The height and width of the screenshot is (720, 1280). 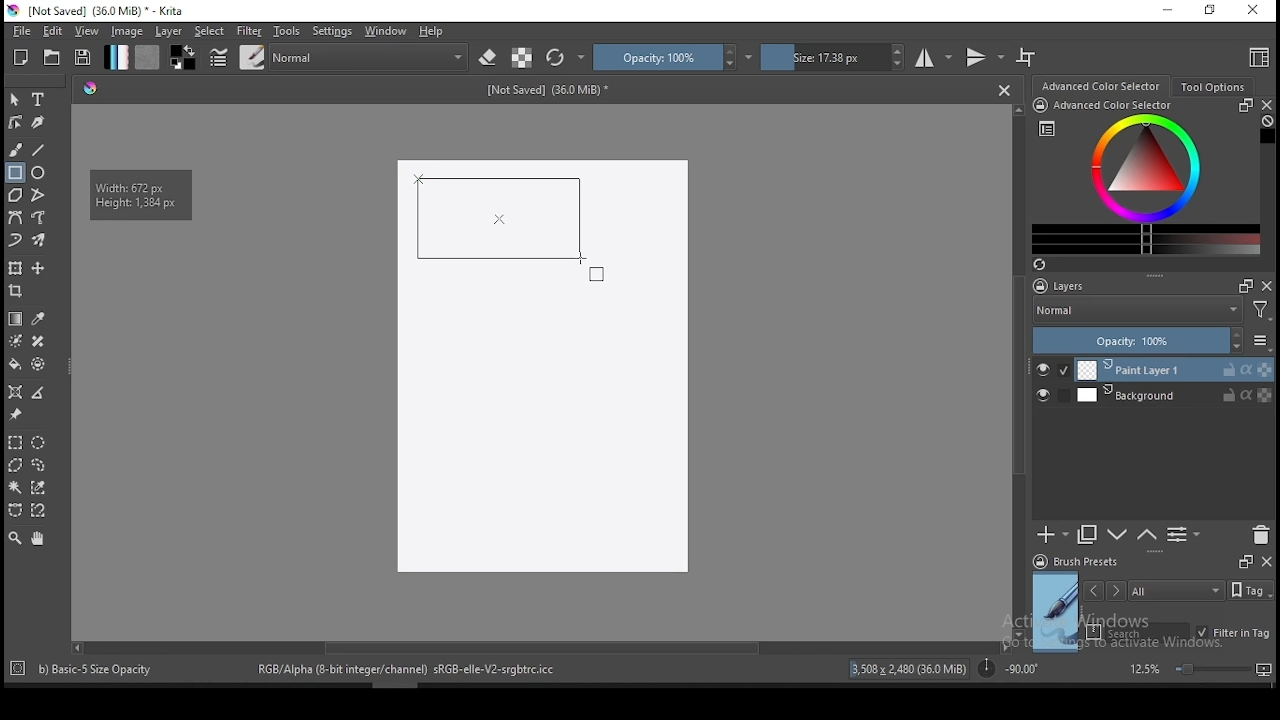 What do you see at coordinates (14, 195) in the screenshot?
I see `polygon tool` at bounding box center [14, 195].